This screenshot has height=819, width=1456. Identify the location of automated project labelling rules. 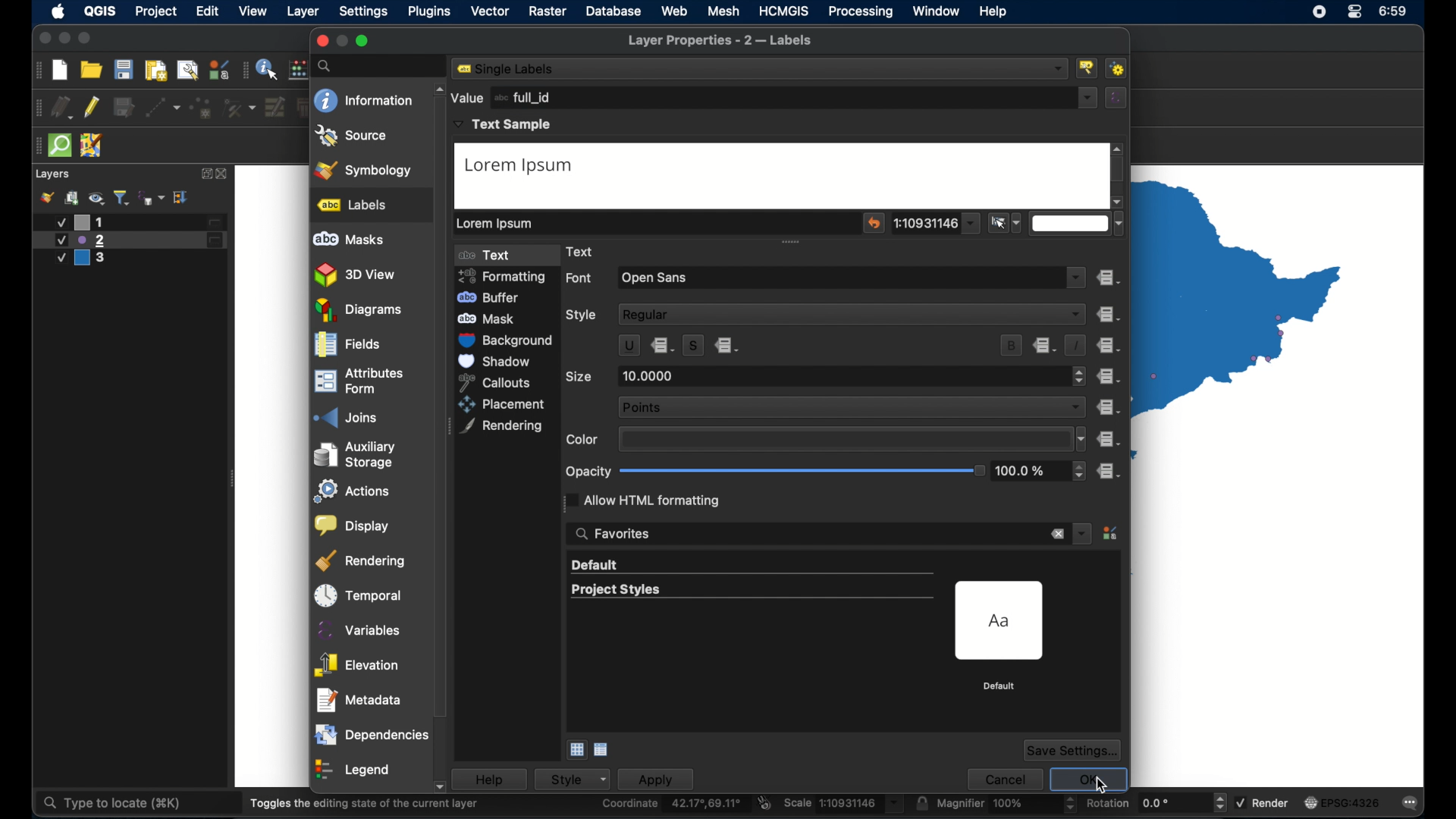
(1119, 68).